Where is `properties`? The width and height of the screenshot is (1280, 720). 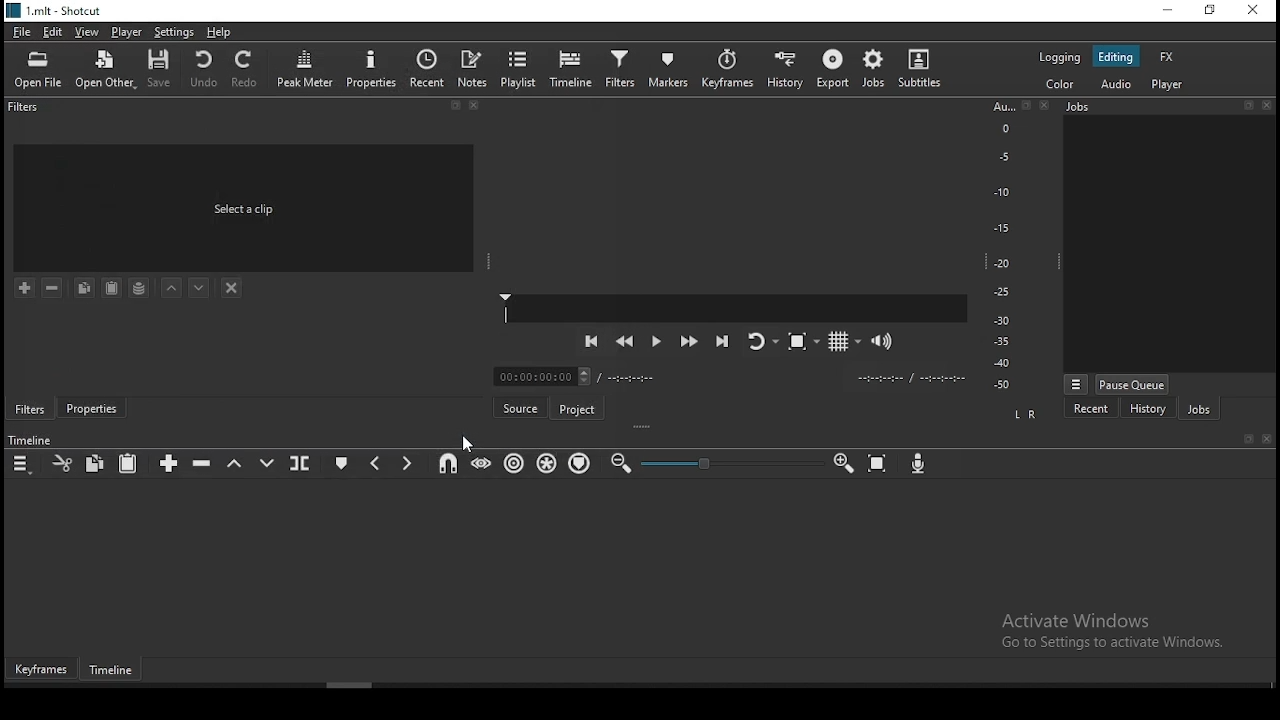 properties is located at coordinates (90, 410).